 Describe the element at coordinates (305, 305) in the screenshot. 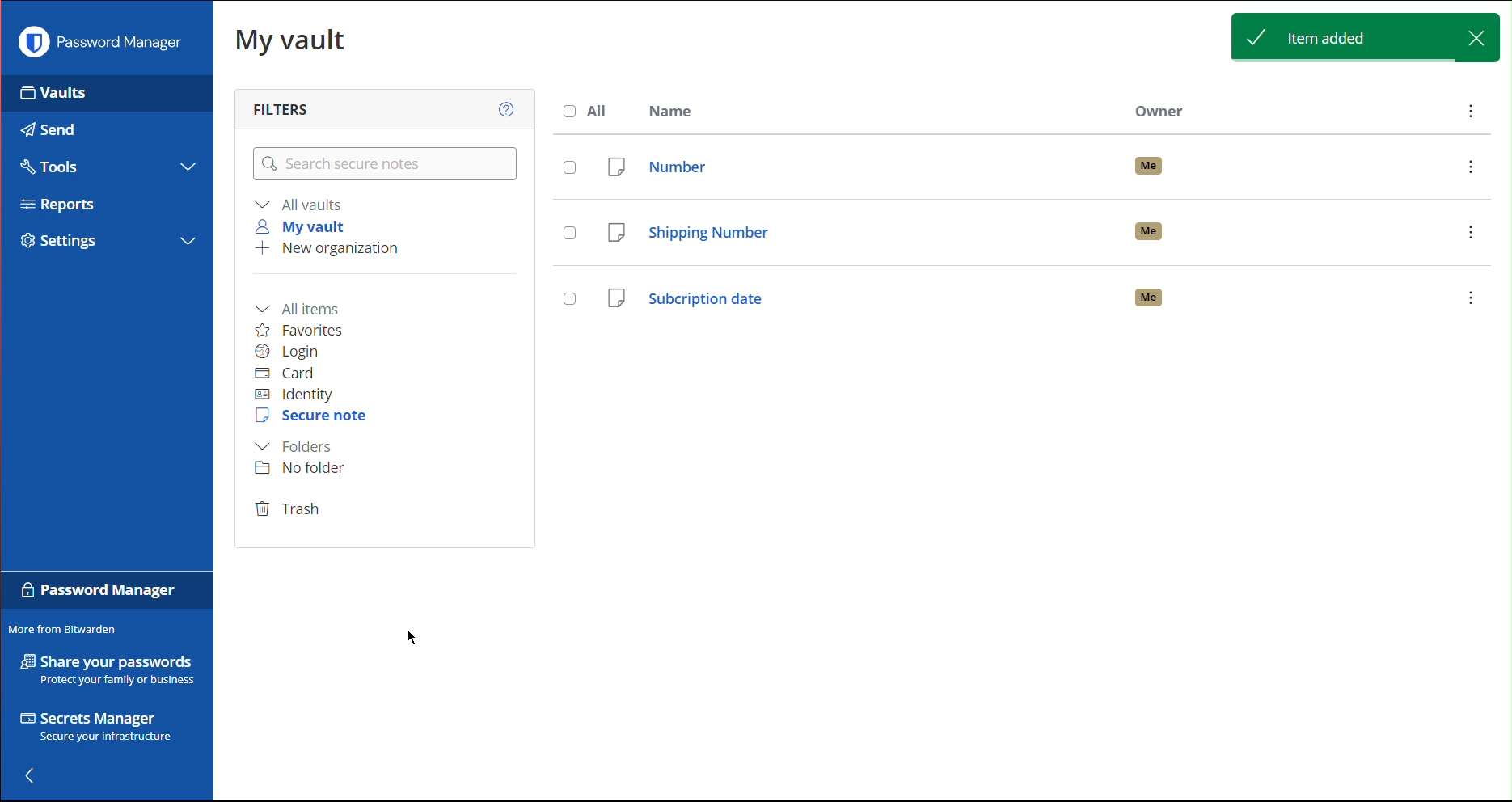

I see `All items` at that location.